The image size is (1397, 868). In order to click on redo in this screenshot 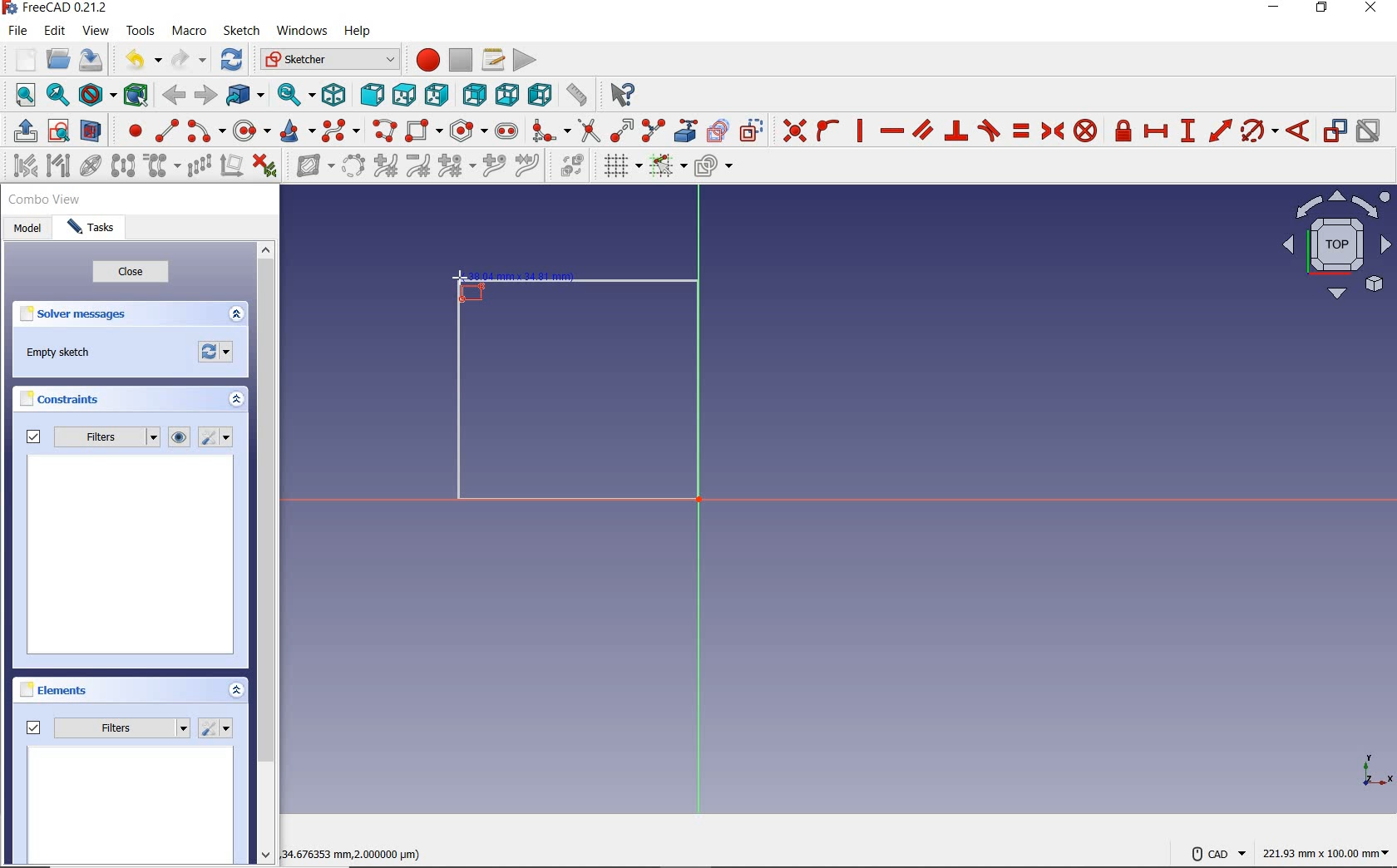, I will do `click(189, 60)`.